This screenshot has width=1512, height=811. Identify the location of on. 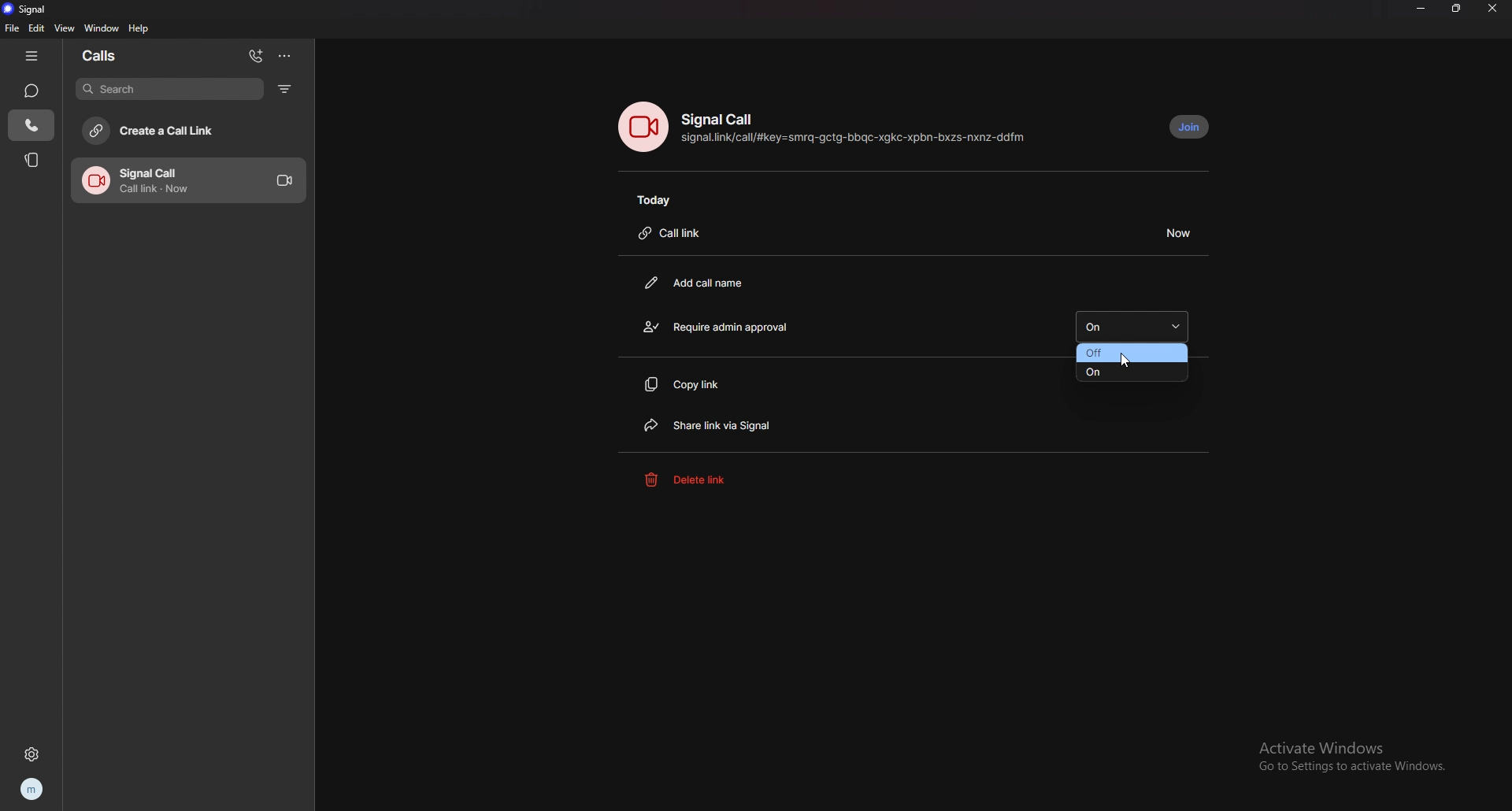
(1132, 326).